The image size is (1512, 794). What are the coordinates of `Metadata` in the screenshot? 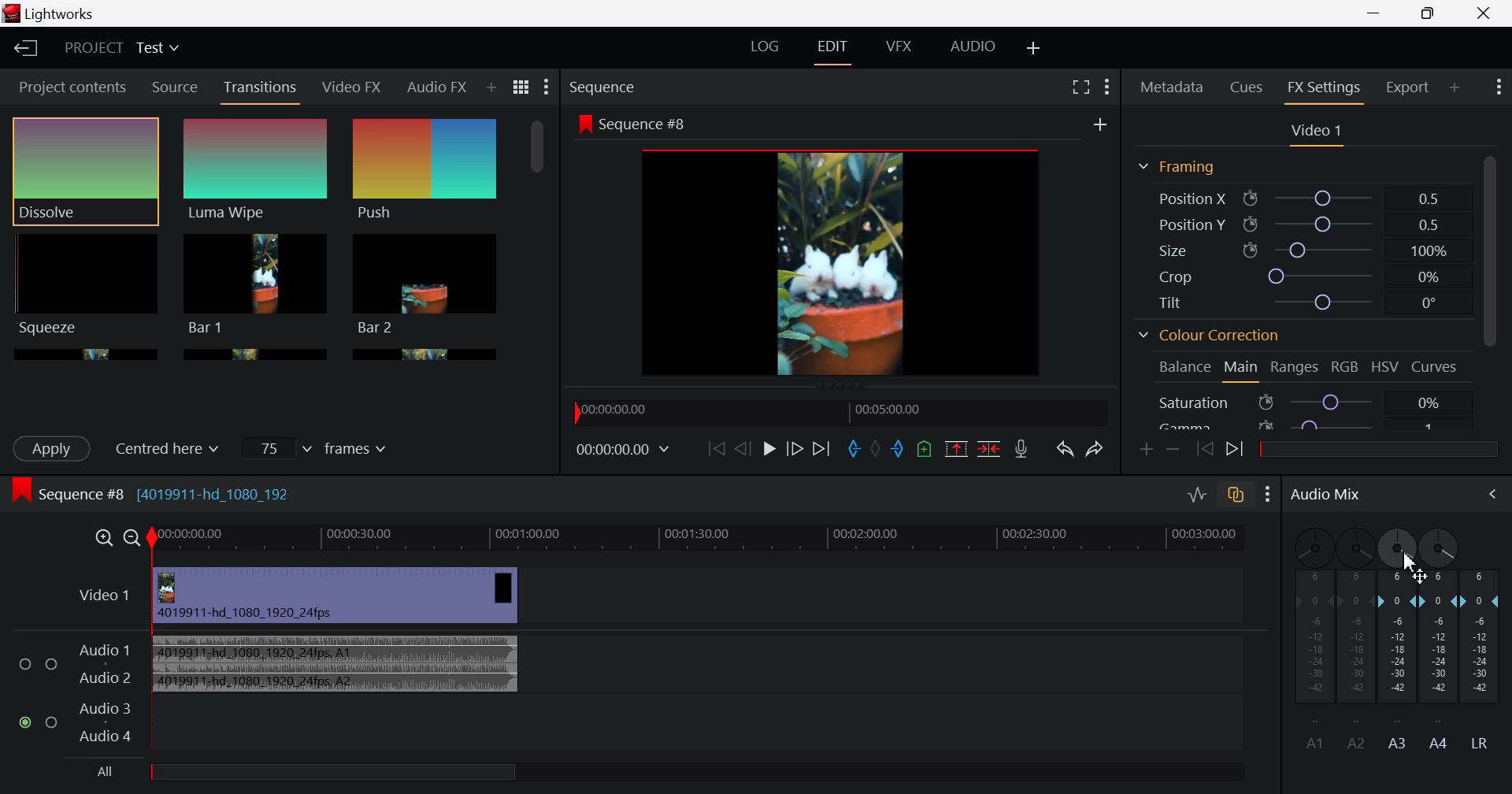 It's located at (1172, 87).